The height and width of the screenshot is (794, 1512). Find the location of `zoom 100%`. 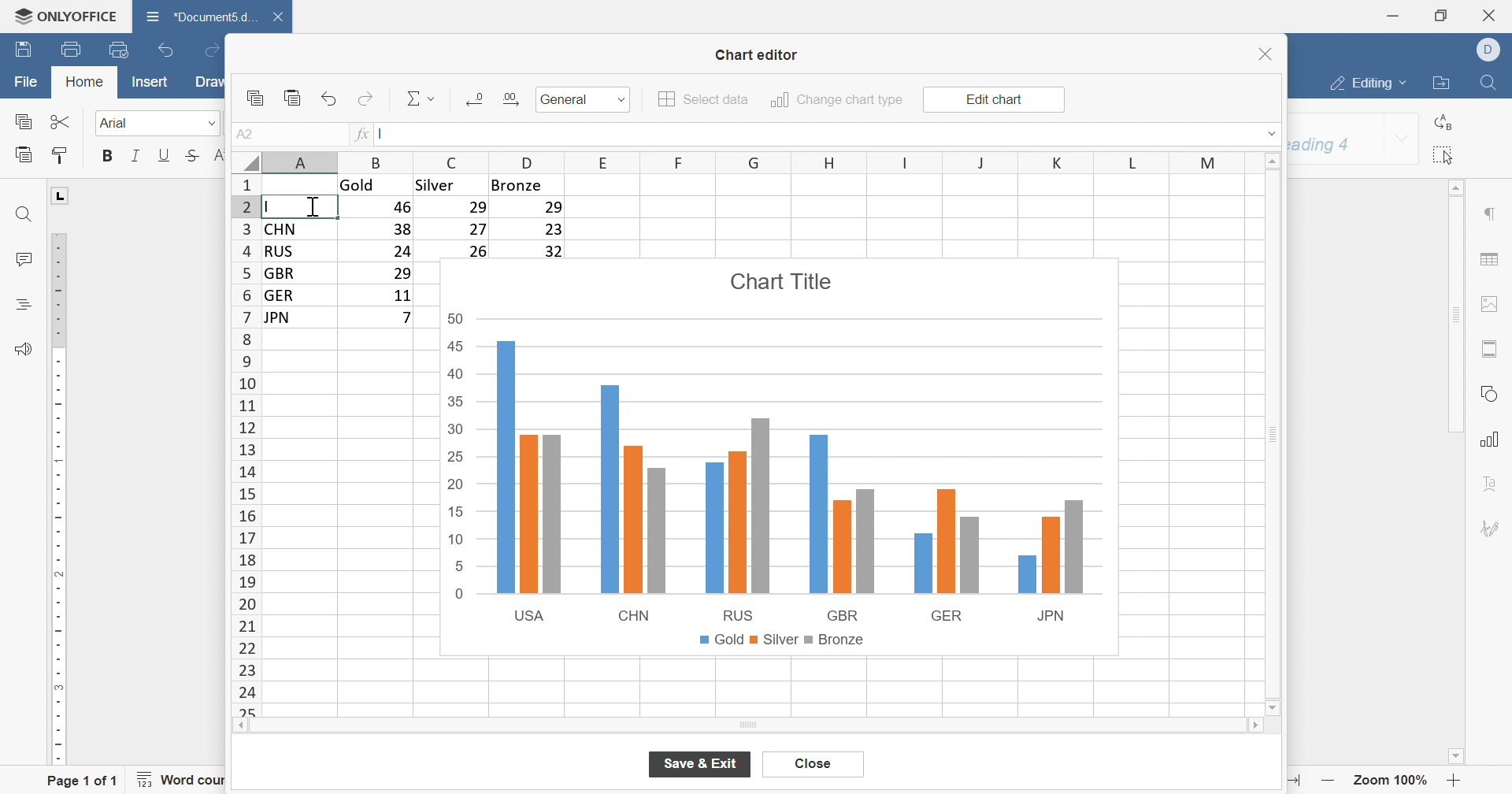

zoom 100% is located at coordinates (1392, 779).